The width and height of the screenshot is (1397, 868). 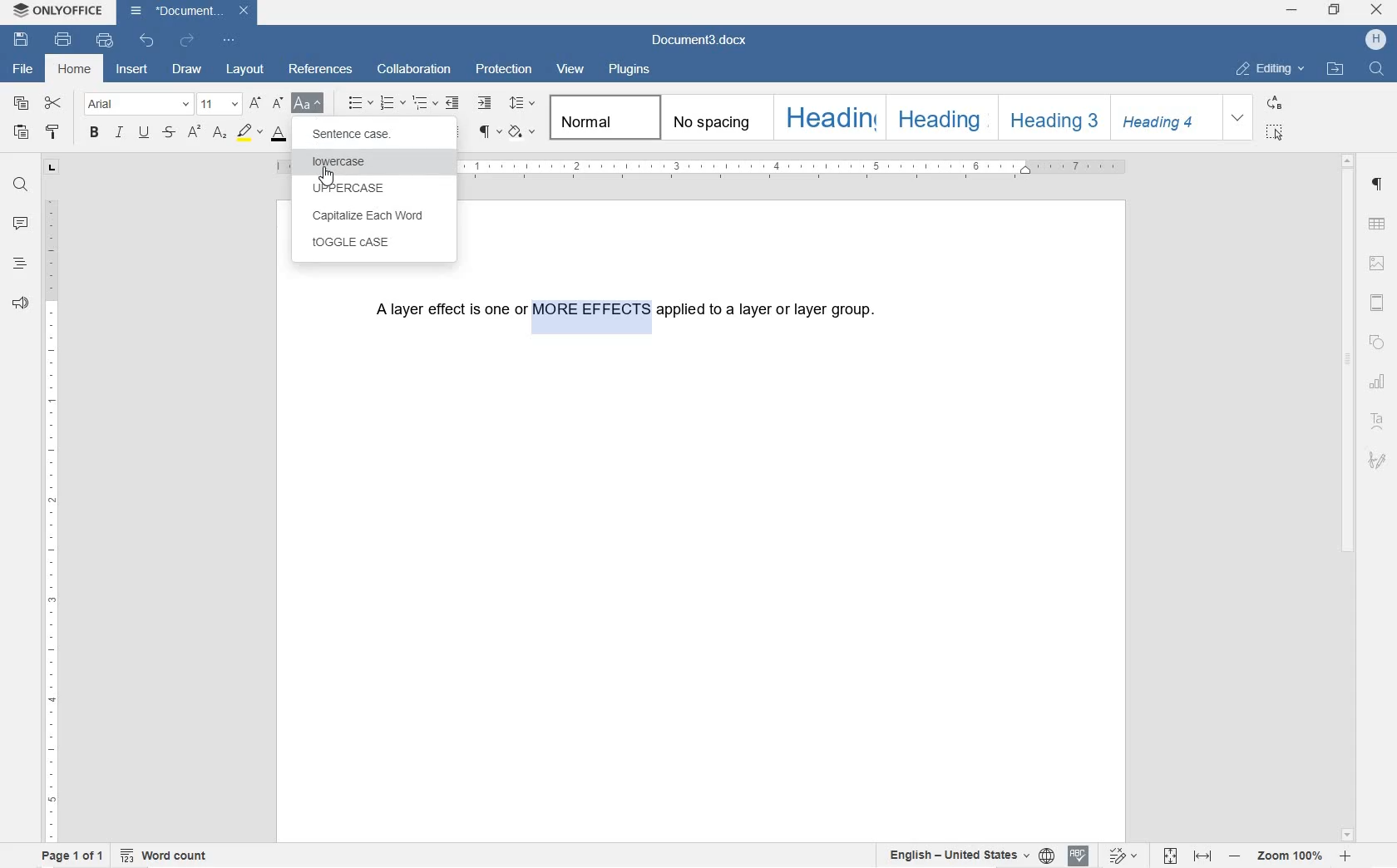 I want to click on STRIKETHROUGH, so click(x=167, y=133).